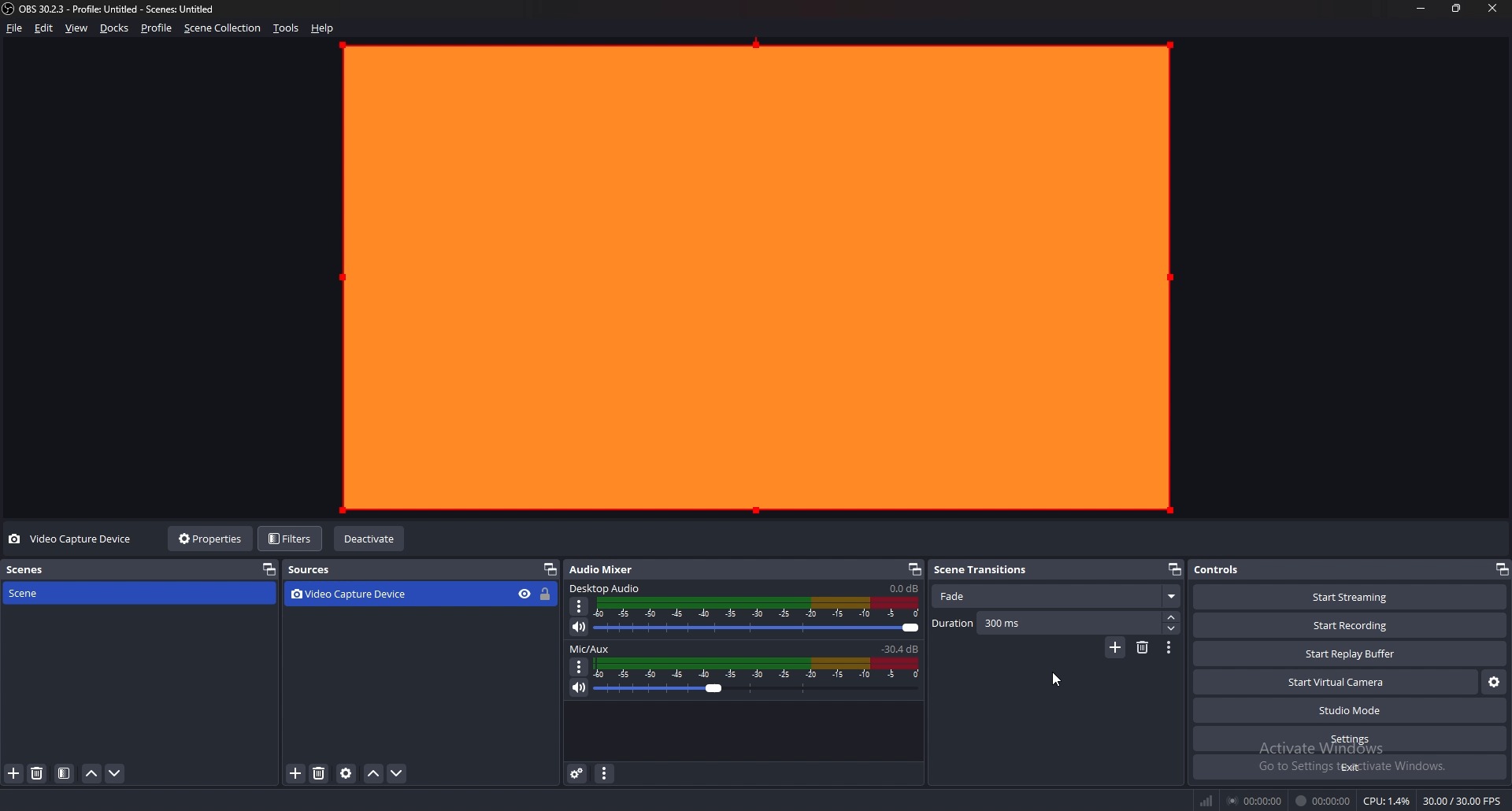 The image size is (1512, 811). What do you see at coordinates (1350, 597) in the screenshot?
I see `start streaming` at bounding box center [1350, 597].